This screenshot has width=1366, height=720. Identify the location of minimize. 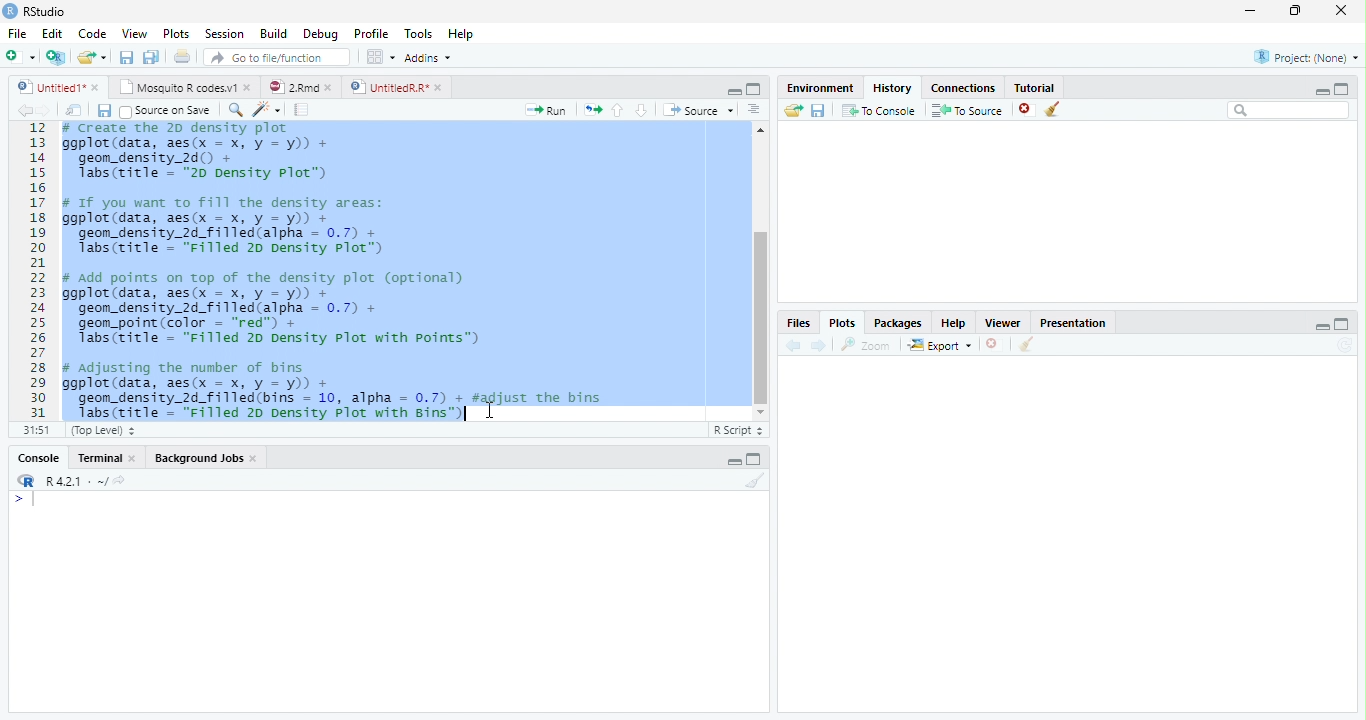
(734, 462).